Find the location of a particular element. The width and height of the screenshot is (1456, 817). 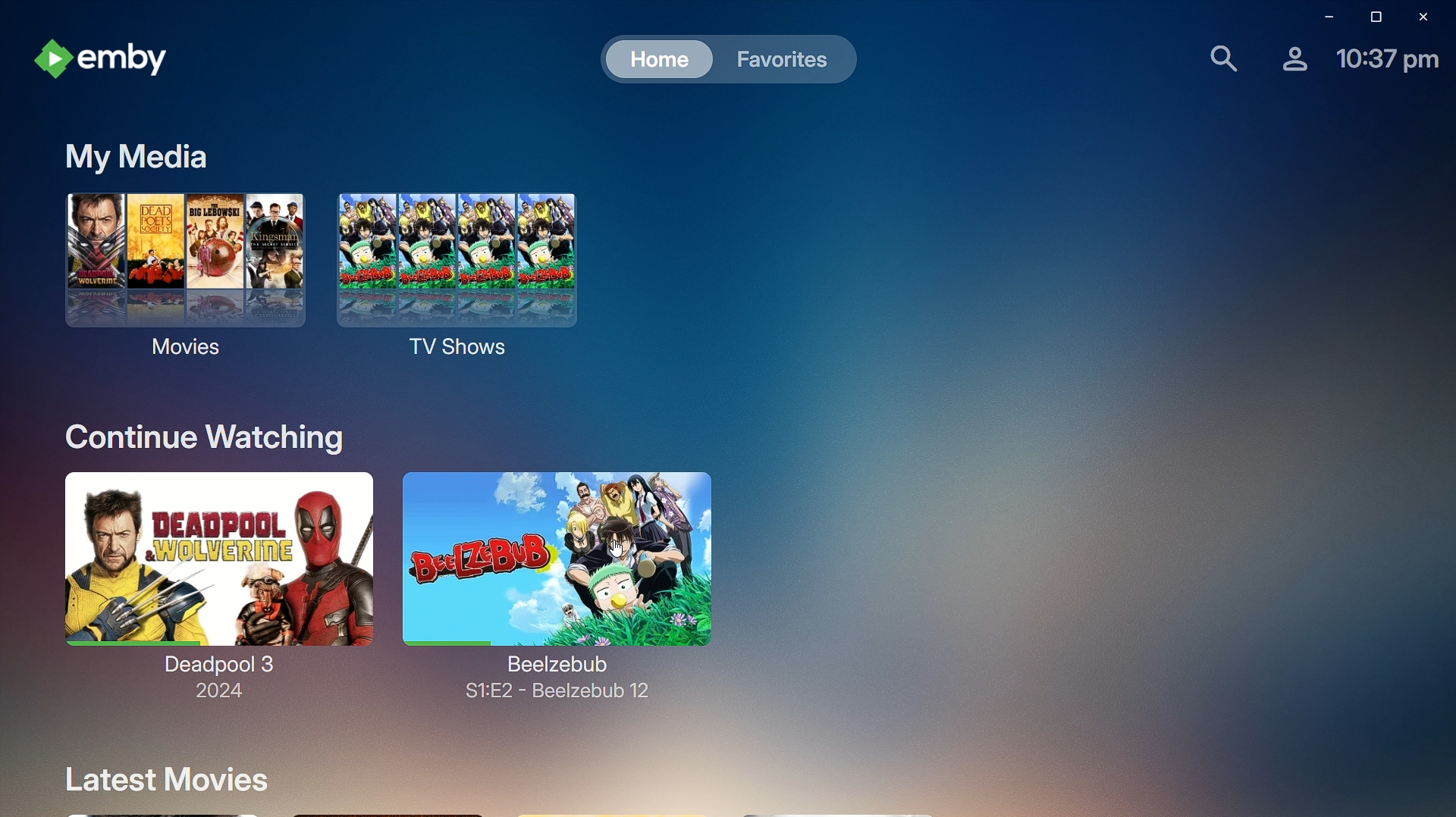

Restore is located at coordinates (1373, 17).